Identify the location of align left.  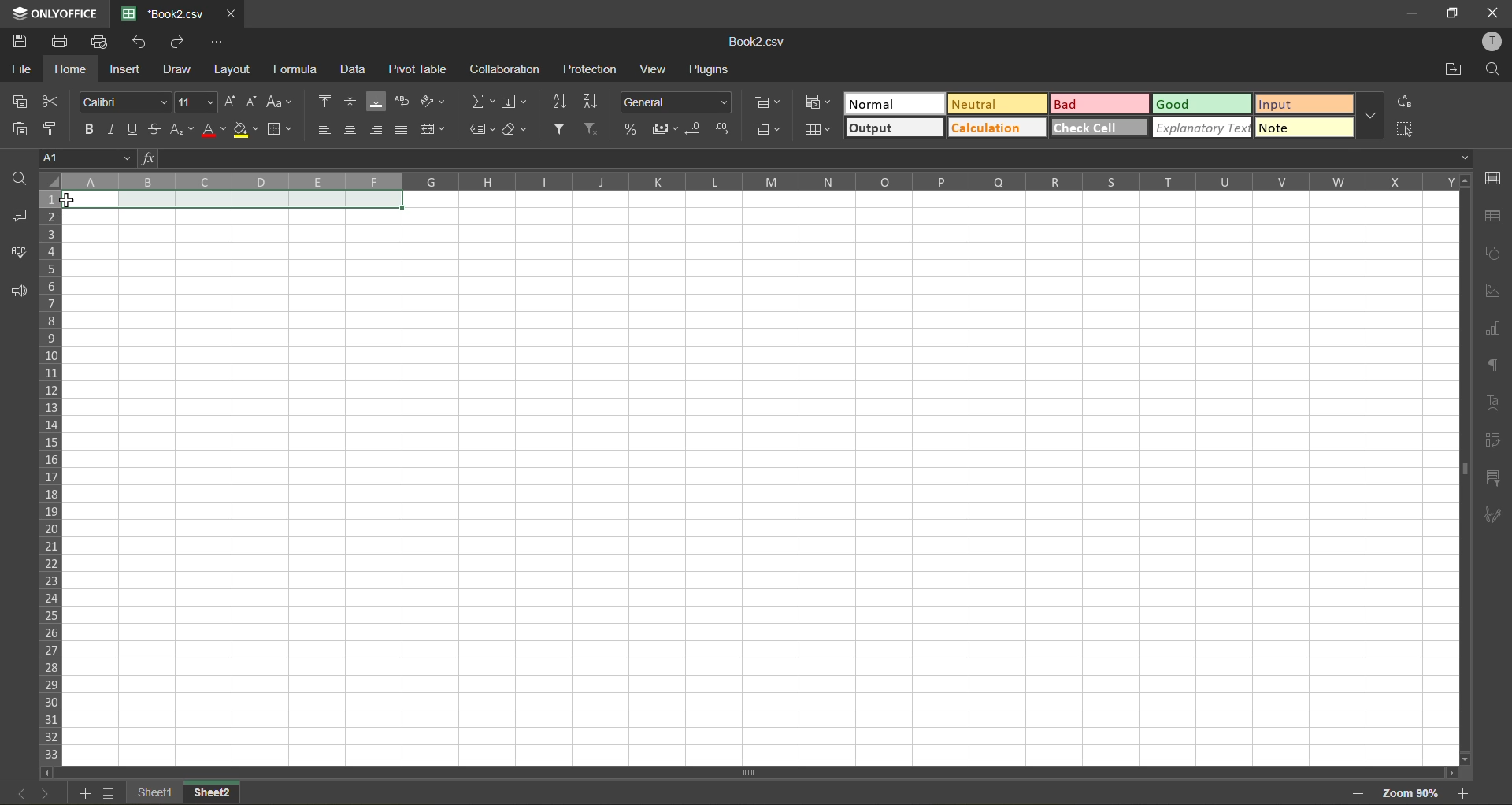
(325, 130).